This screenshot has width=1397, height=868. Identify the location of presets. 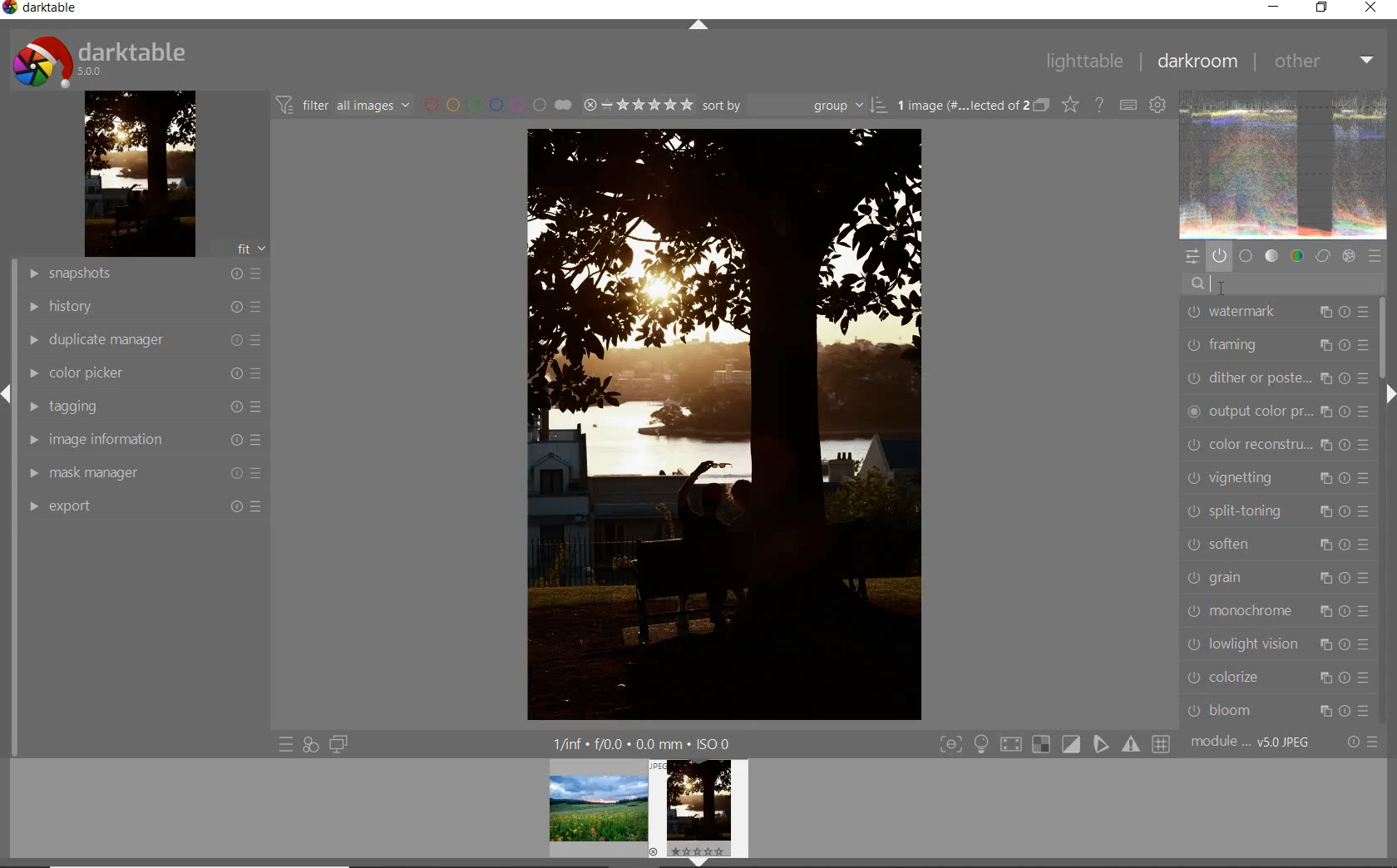
(1375, 255).